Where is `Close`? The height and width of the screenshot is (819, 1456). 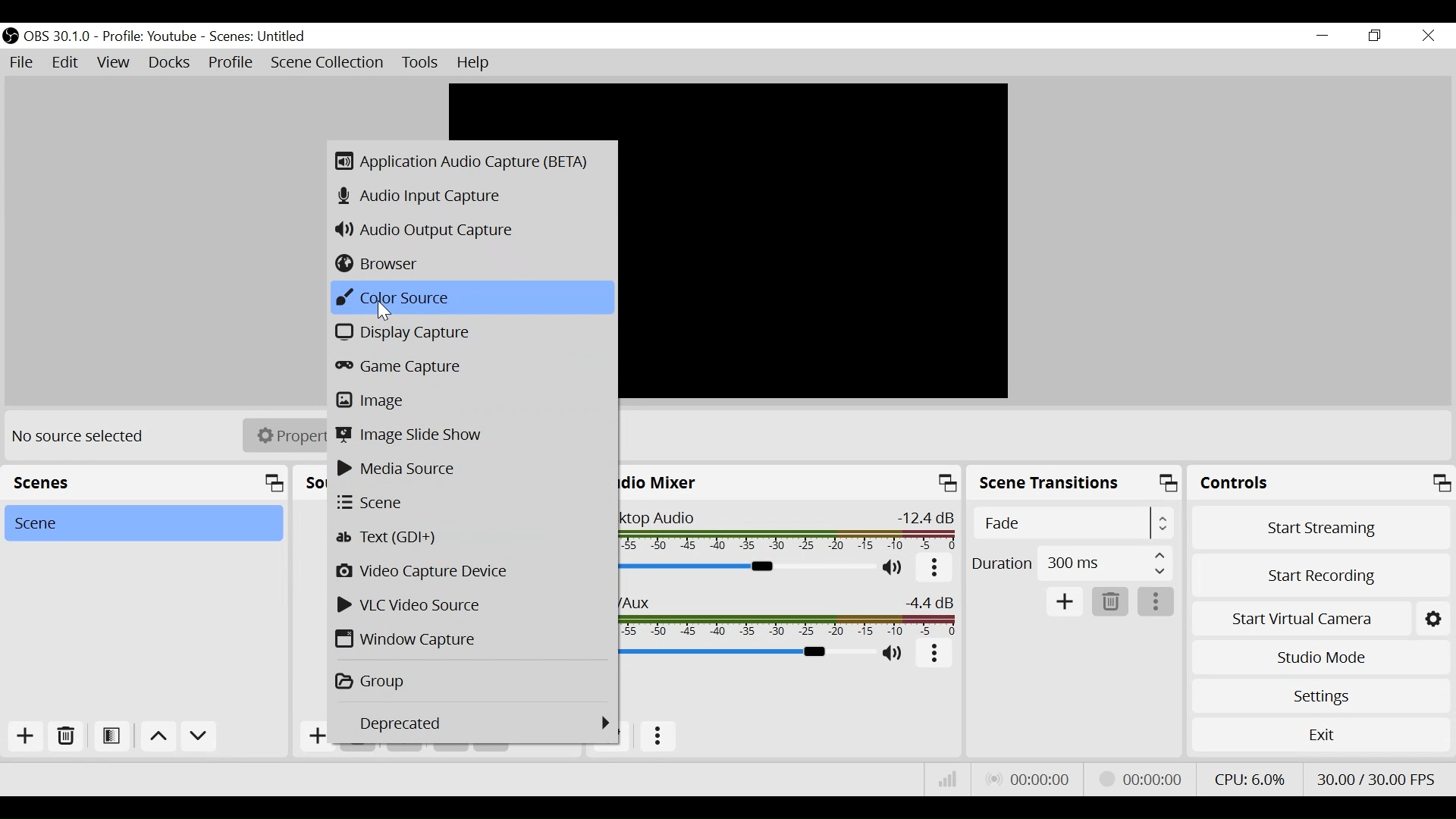 Close is located at coordinates (1427, 37).